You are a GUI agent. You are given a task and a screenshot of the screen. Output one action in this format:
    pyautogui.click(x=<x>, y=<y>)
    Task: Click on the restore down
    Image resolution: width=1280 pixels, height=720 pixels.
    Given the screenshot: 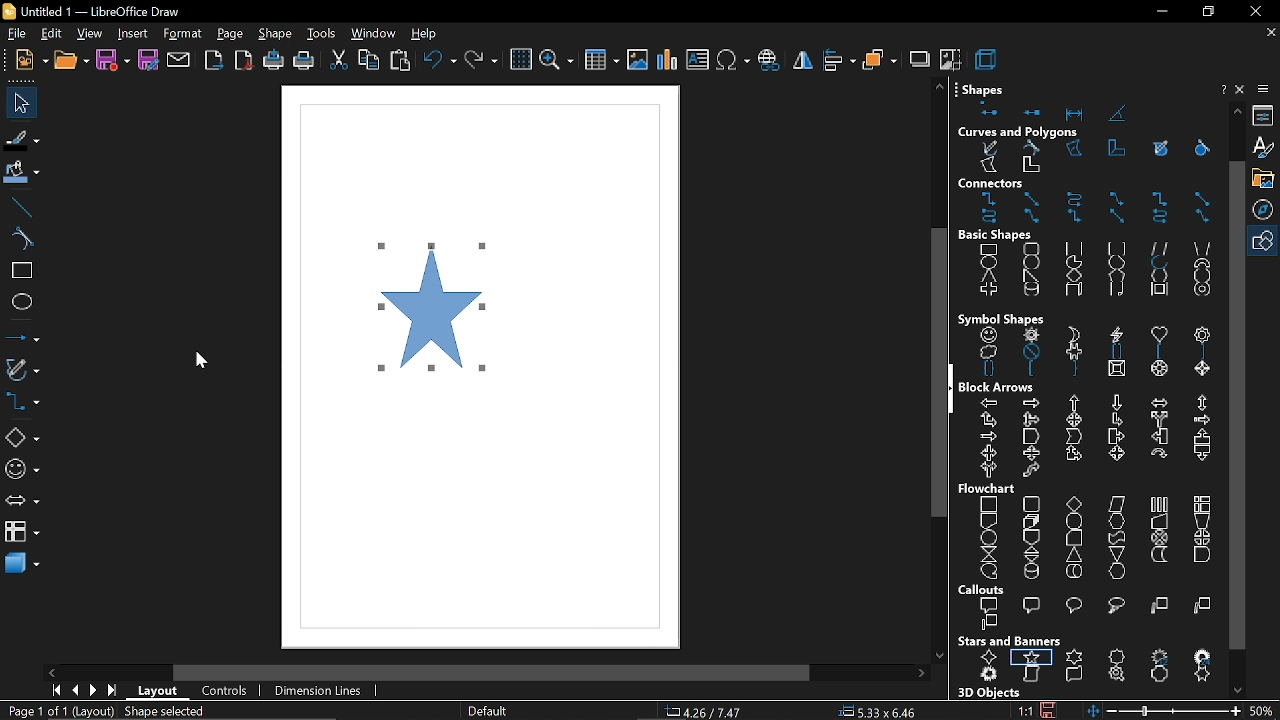 What is the action you would take?
    pyautogui.click(x=1210, y=13)
    